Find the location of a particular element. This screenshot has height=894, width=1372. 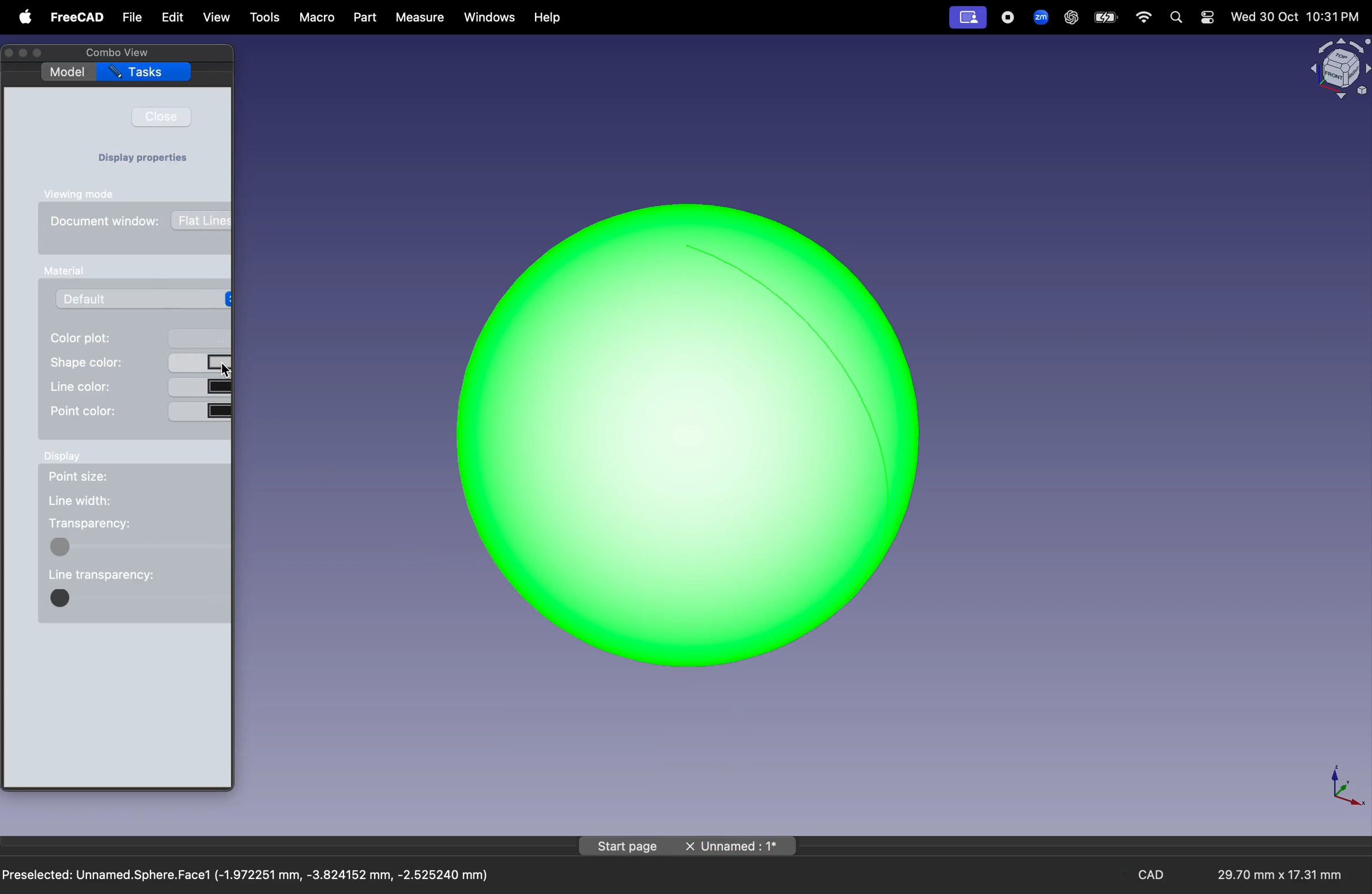

shape color is located at coordinates (138, 362).